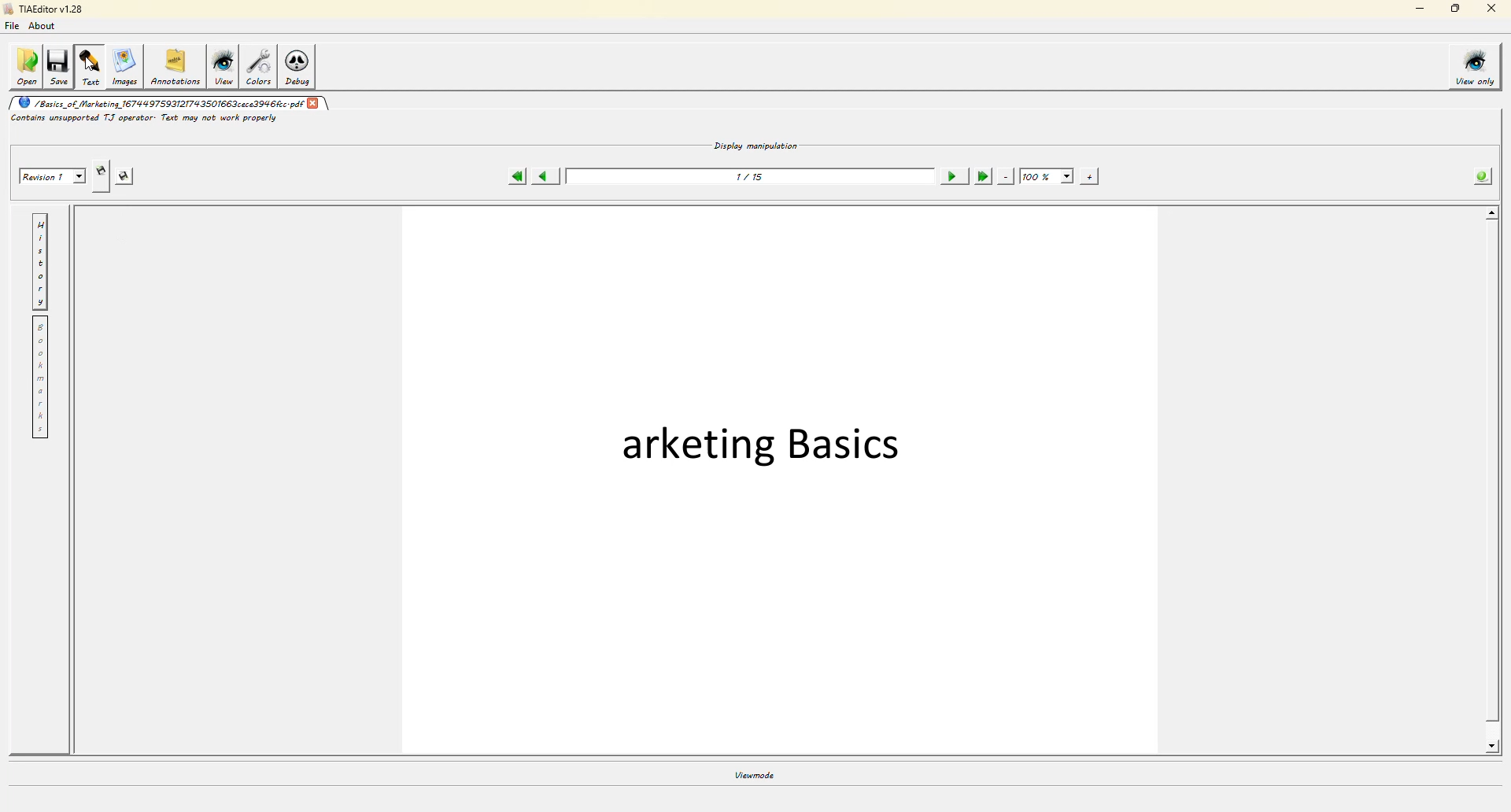 This screenshot has width=1511, height=812. I want to click on open, so click(25, 65).